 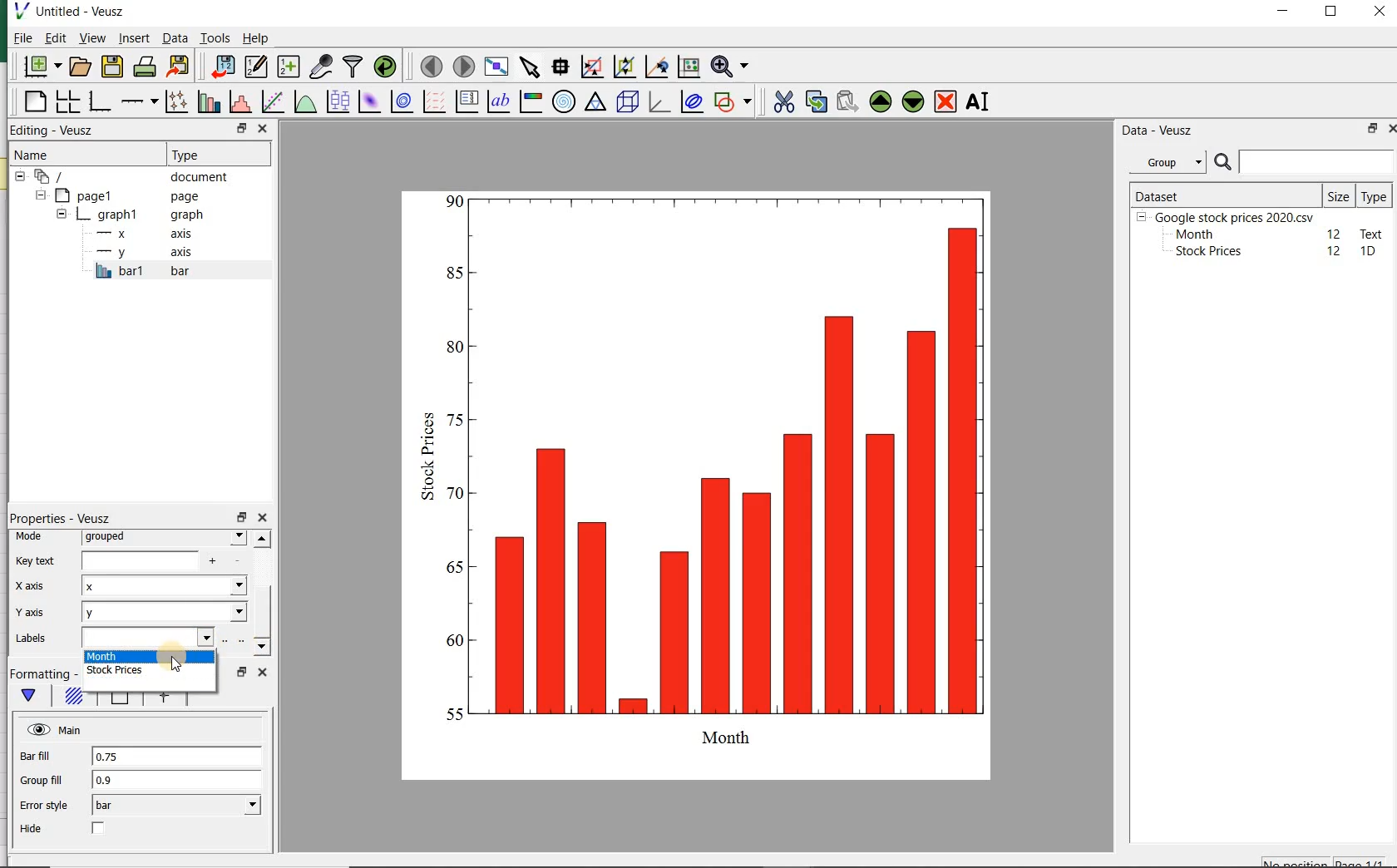 What do you see at coordinates (1163, 162) in the screenshot?
I see `Group datasets with property given` at bounding box center [1163, 162].